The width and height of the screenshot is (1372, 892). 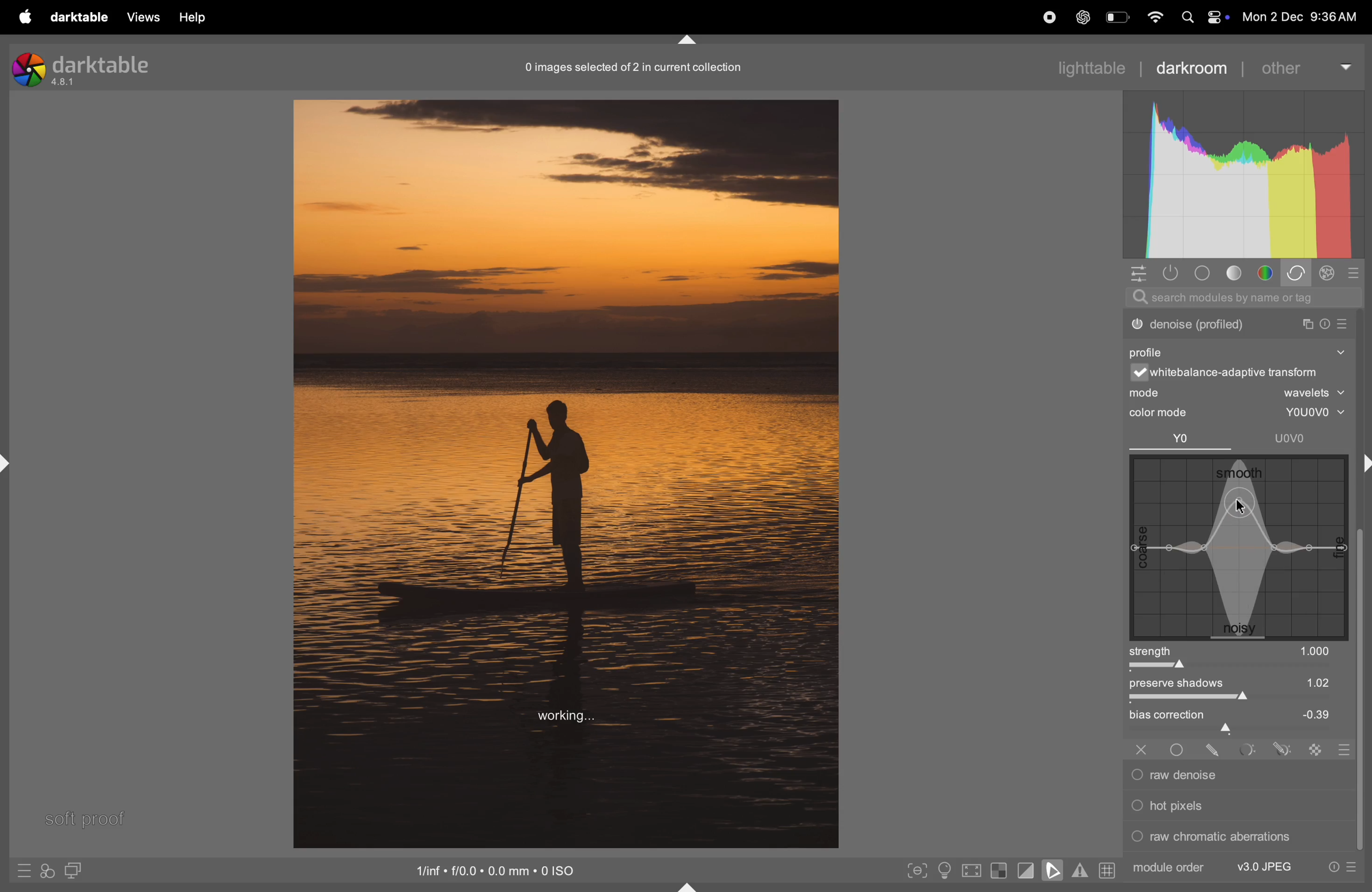 I want to click on task bar, so click(x=1362, y=691).